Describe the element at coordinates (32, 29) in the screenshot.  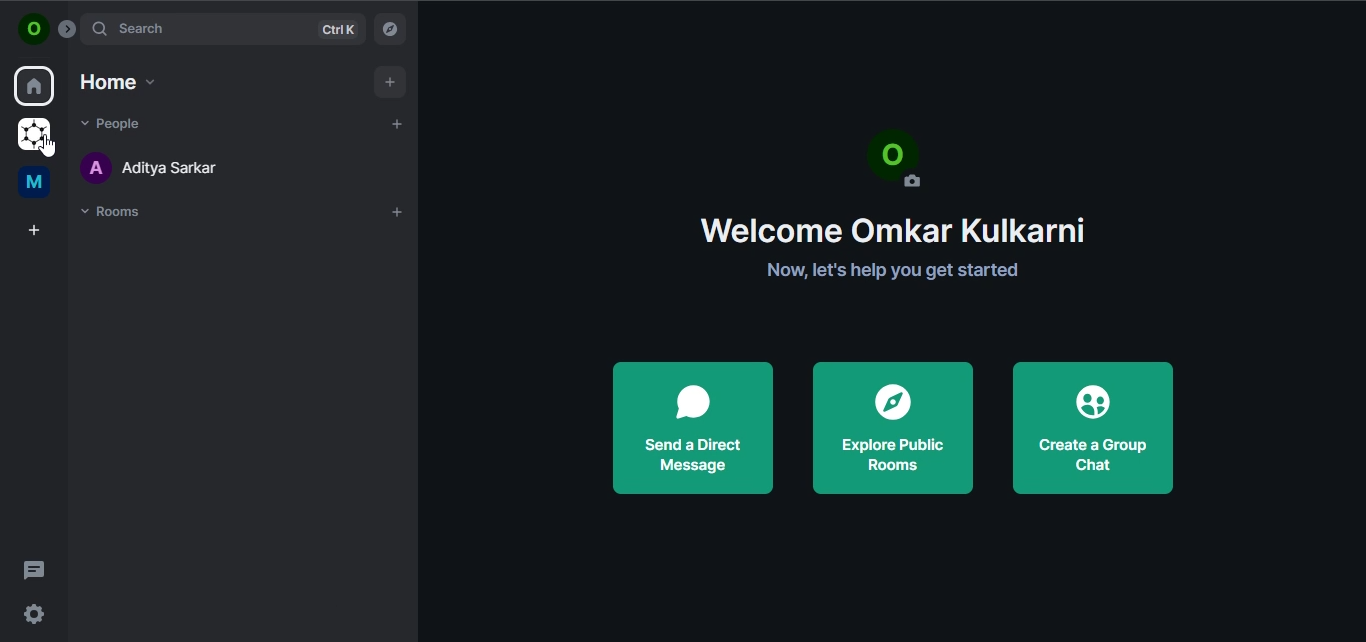
I see `view profile` at that location.